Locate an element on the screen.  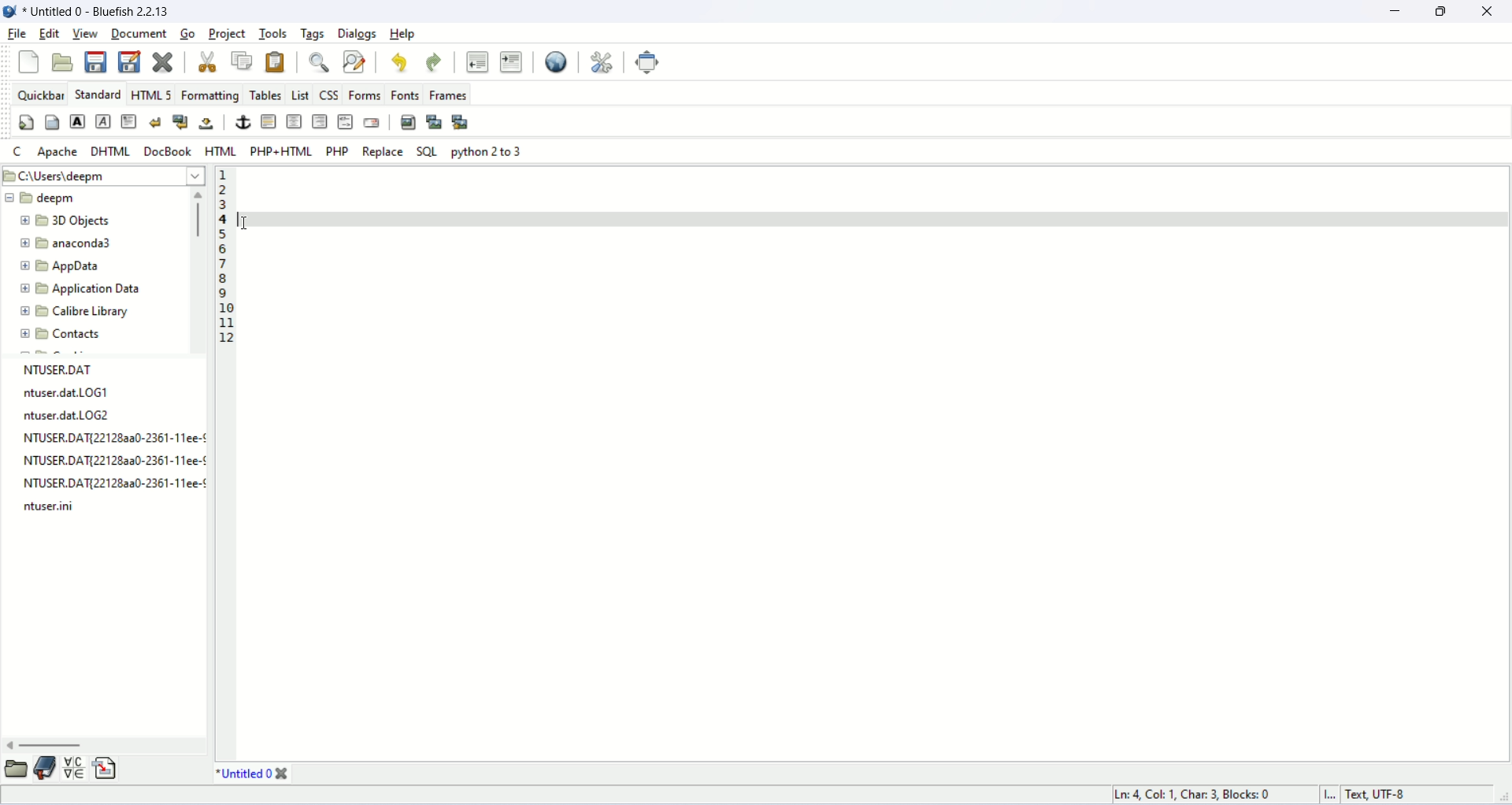
redo is located at coordinates (434, 61).